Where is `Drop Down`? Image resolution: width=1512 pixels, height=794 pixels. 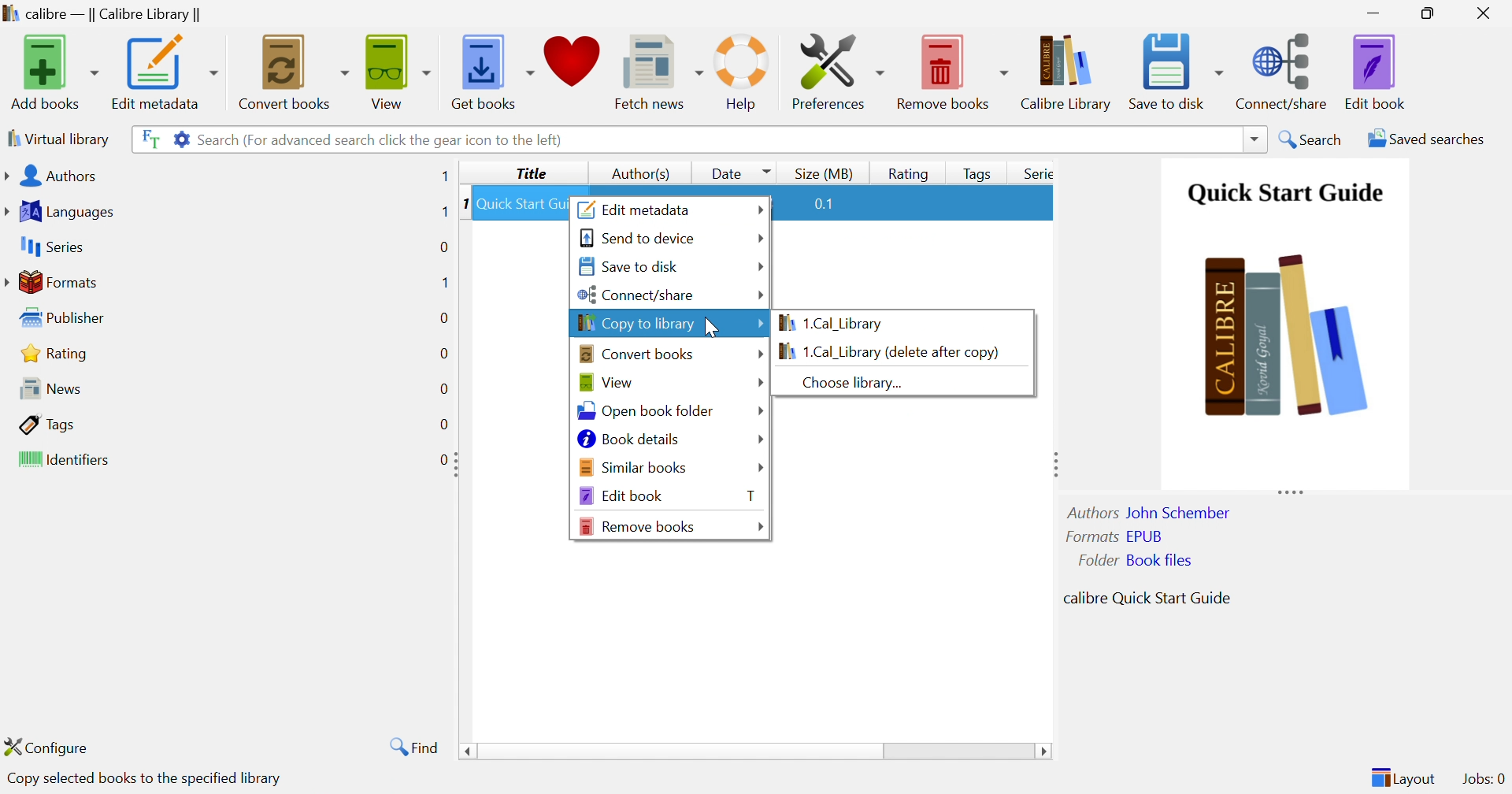 Drop Down is located at coordinates (760, 266).